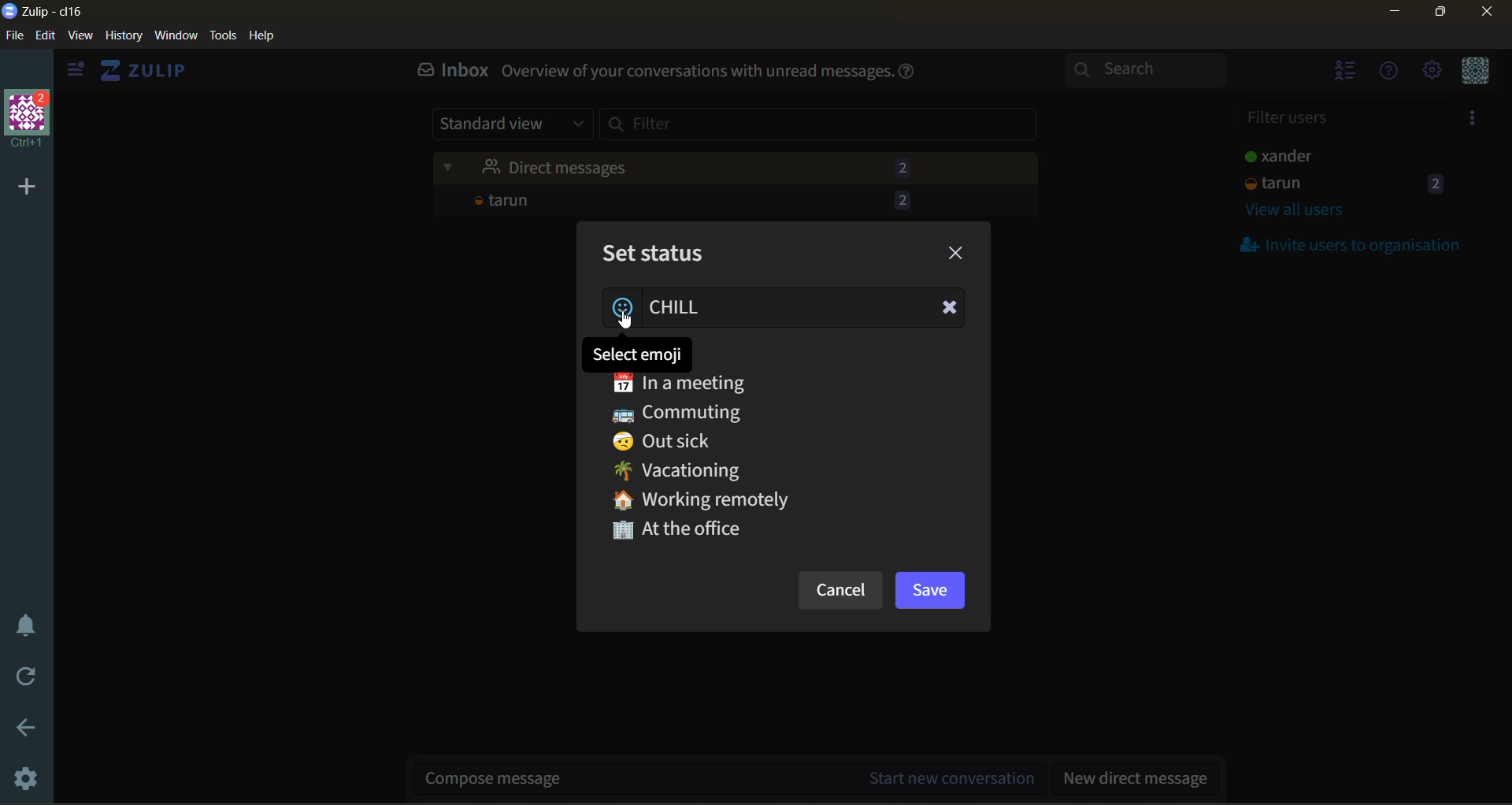 The image size is (1512, 805). Describe the element at coordinates (26, 730) in the screenshot. I see `go back` at that location.